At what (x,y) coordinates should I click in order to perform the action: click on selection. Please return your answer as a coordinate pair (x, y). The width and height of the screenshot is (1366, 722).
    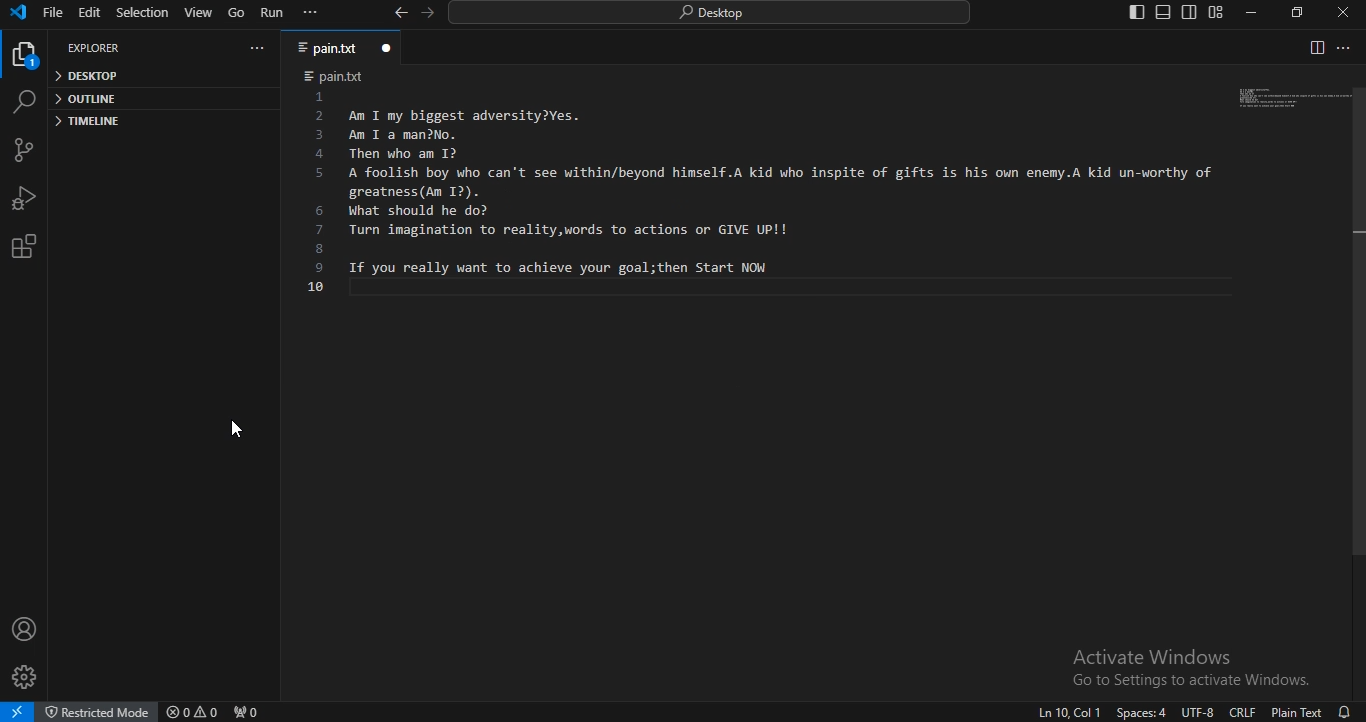
    Looking at the image, I should click on (142, 14).